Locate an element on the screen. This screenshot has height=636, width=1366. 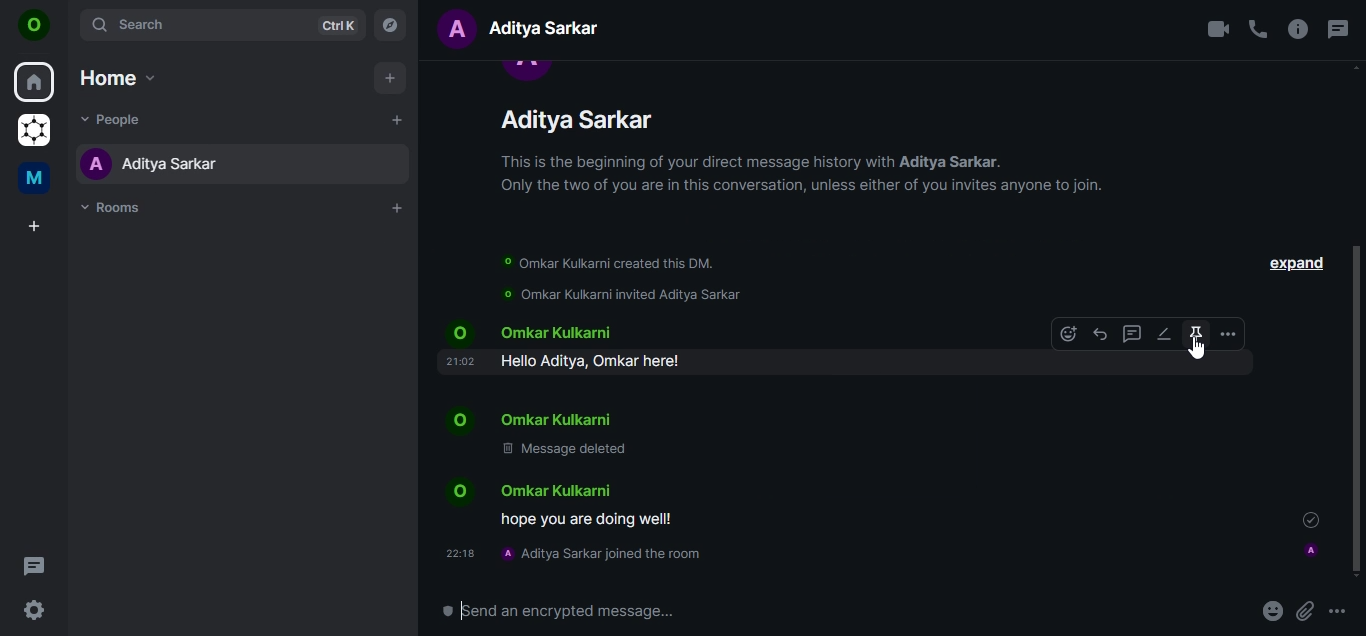
add rooms is located at coordinates (395, 209).